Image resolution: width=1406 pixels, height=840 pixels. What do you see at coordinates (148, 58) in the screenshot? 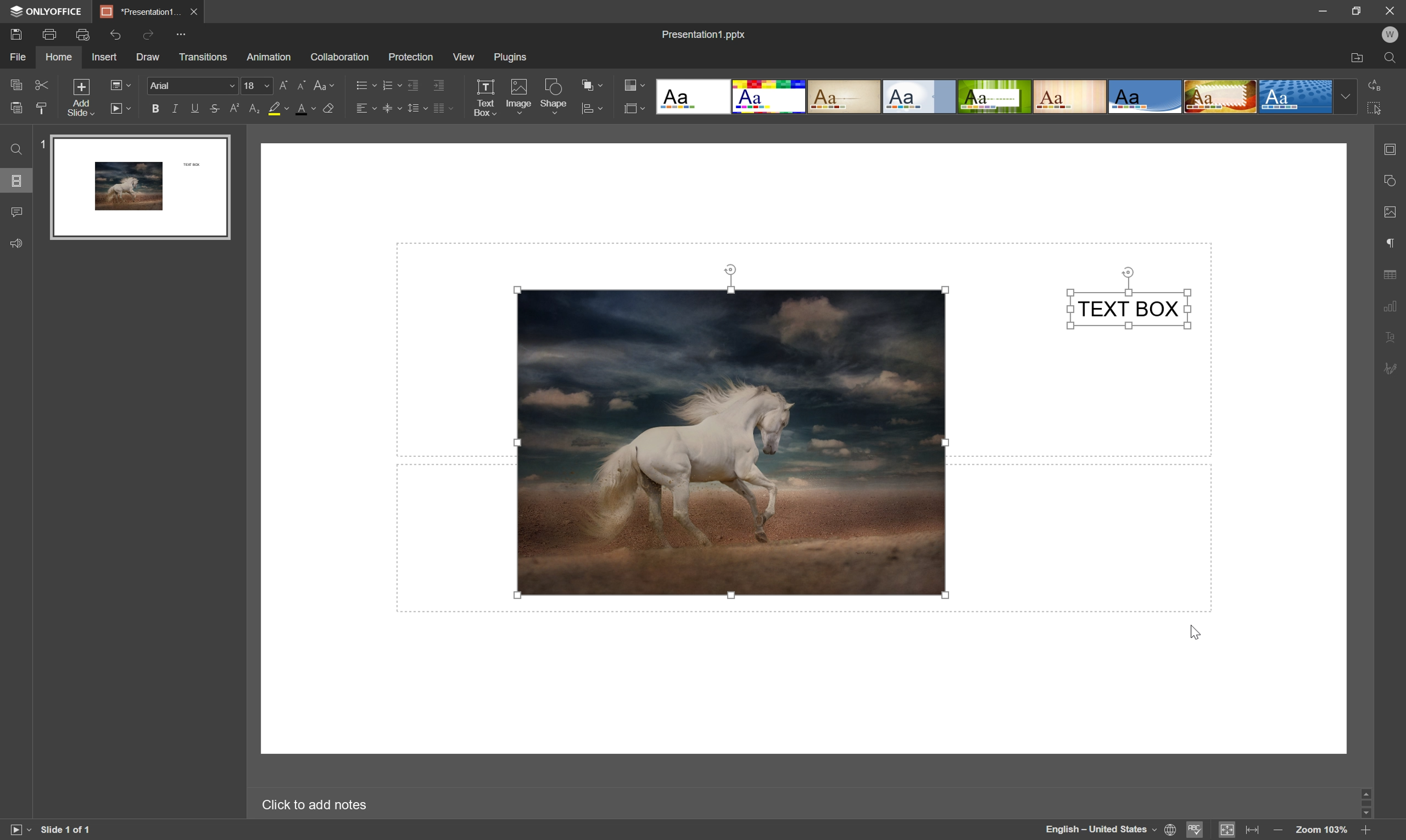
I see `draw` at bounding box center [148, 58].